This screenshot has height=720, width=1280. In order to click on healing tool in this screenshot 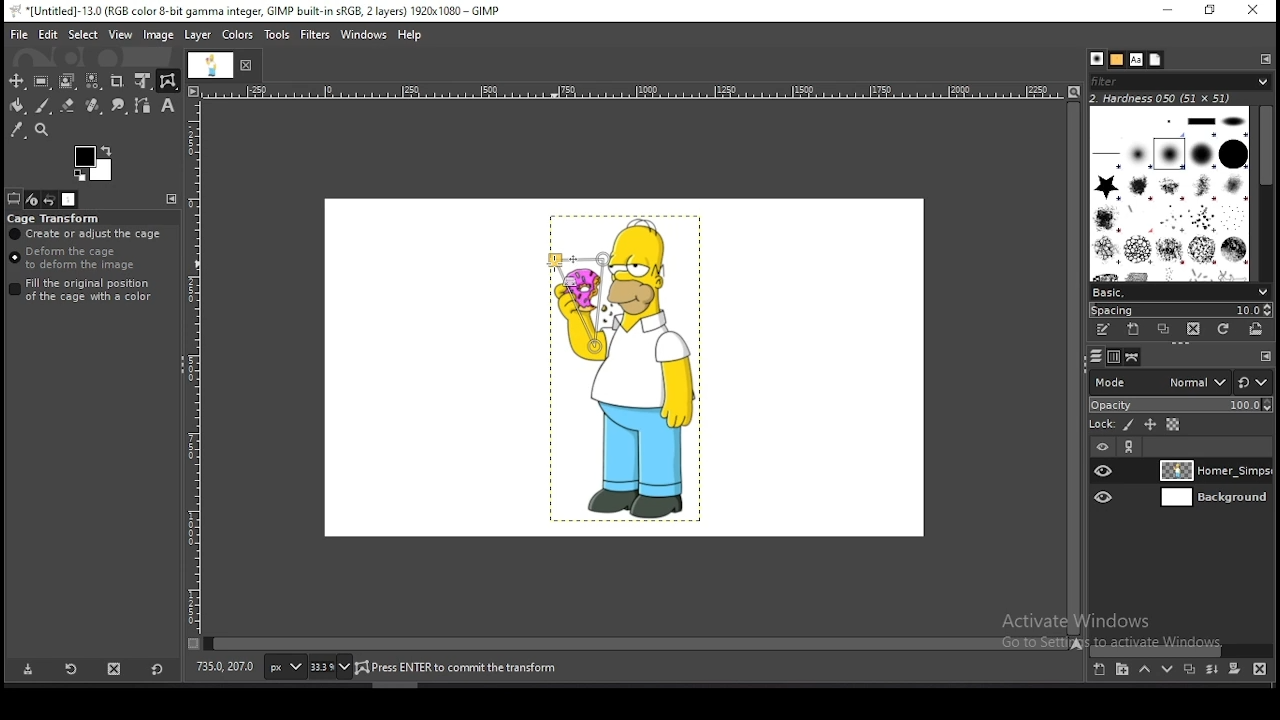, I will do `click(93, 105)`.